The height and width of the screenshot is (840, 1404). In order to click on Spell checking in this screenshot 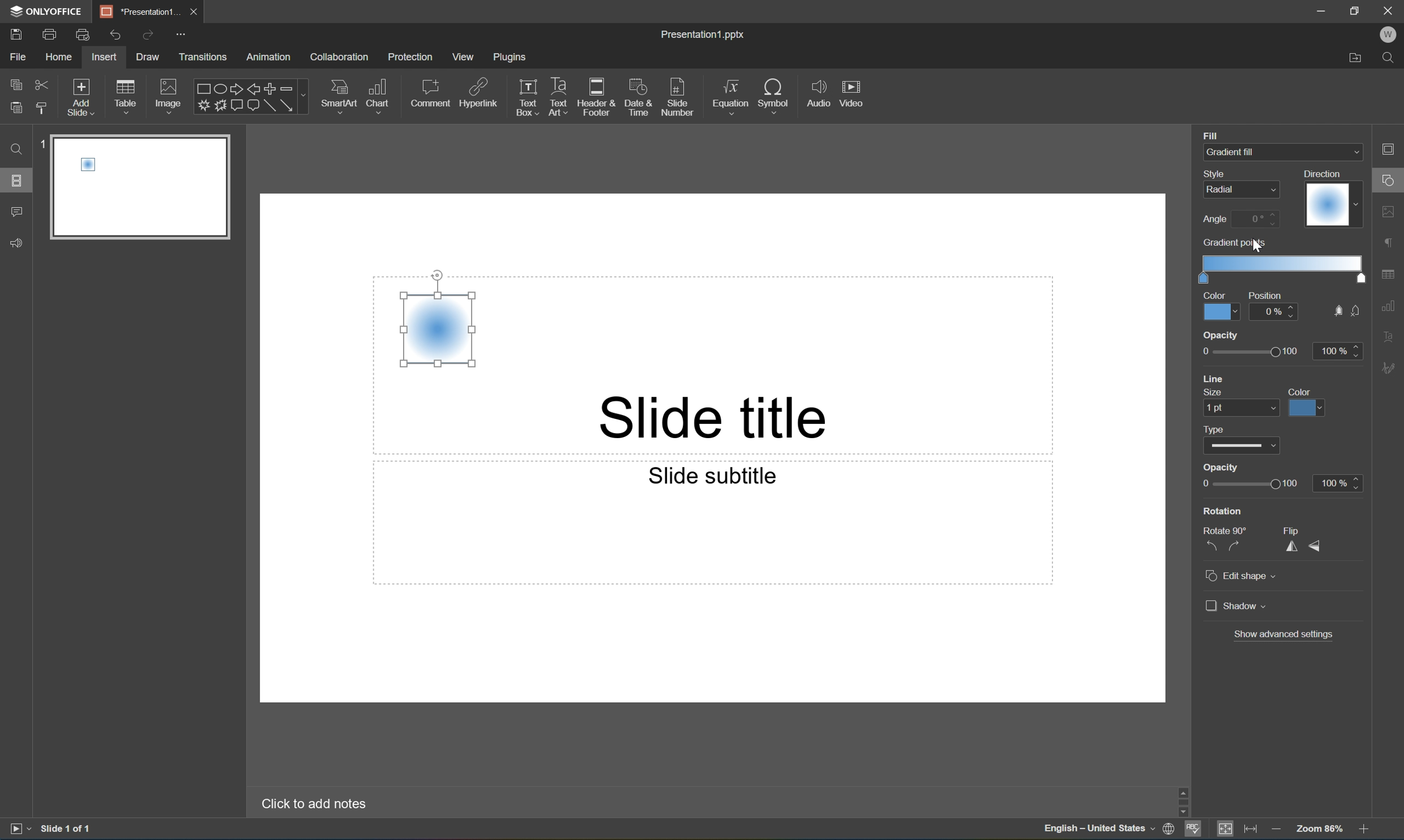, I will do `click(1193, 830)`.